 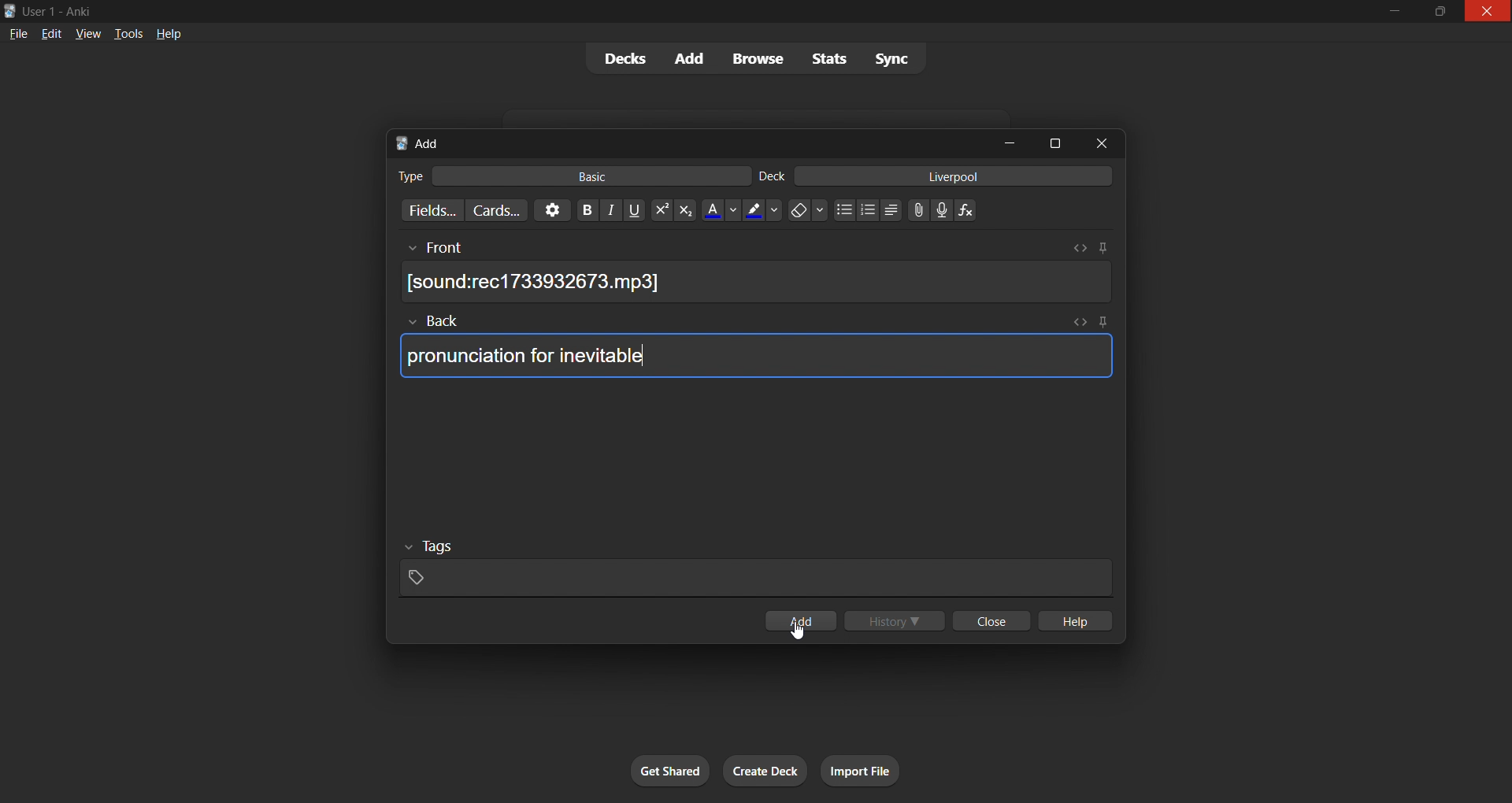 I want to click on edit, so click(x=51, y=35).